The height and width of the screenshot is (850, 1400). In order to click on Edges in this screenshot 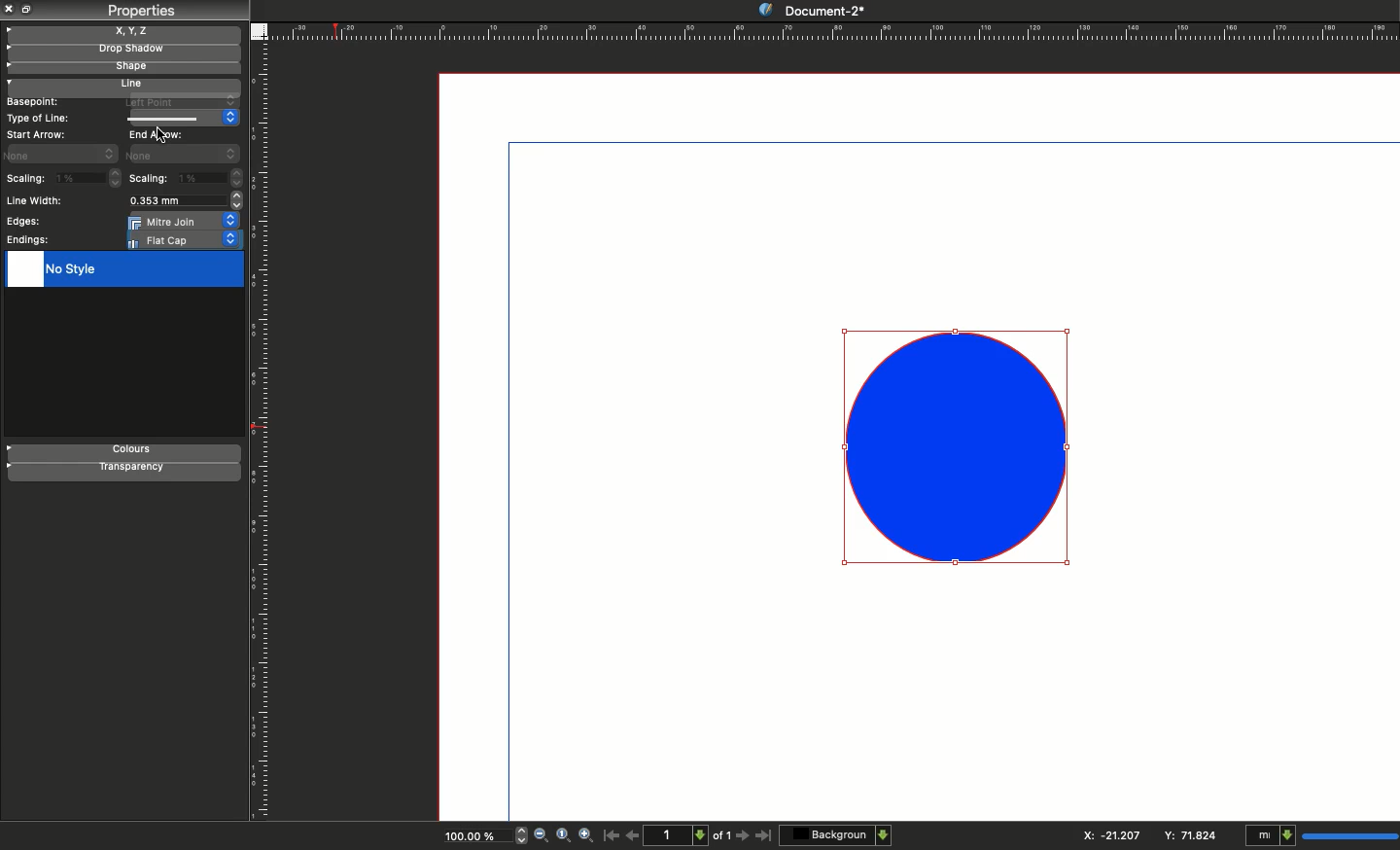, I will do `click(21, 222)`.